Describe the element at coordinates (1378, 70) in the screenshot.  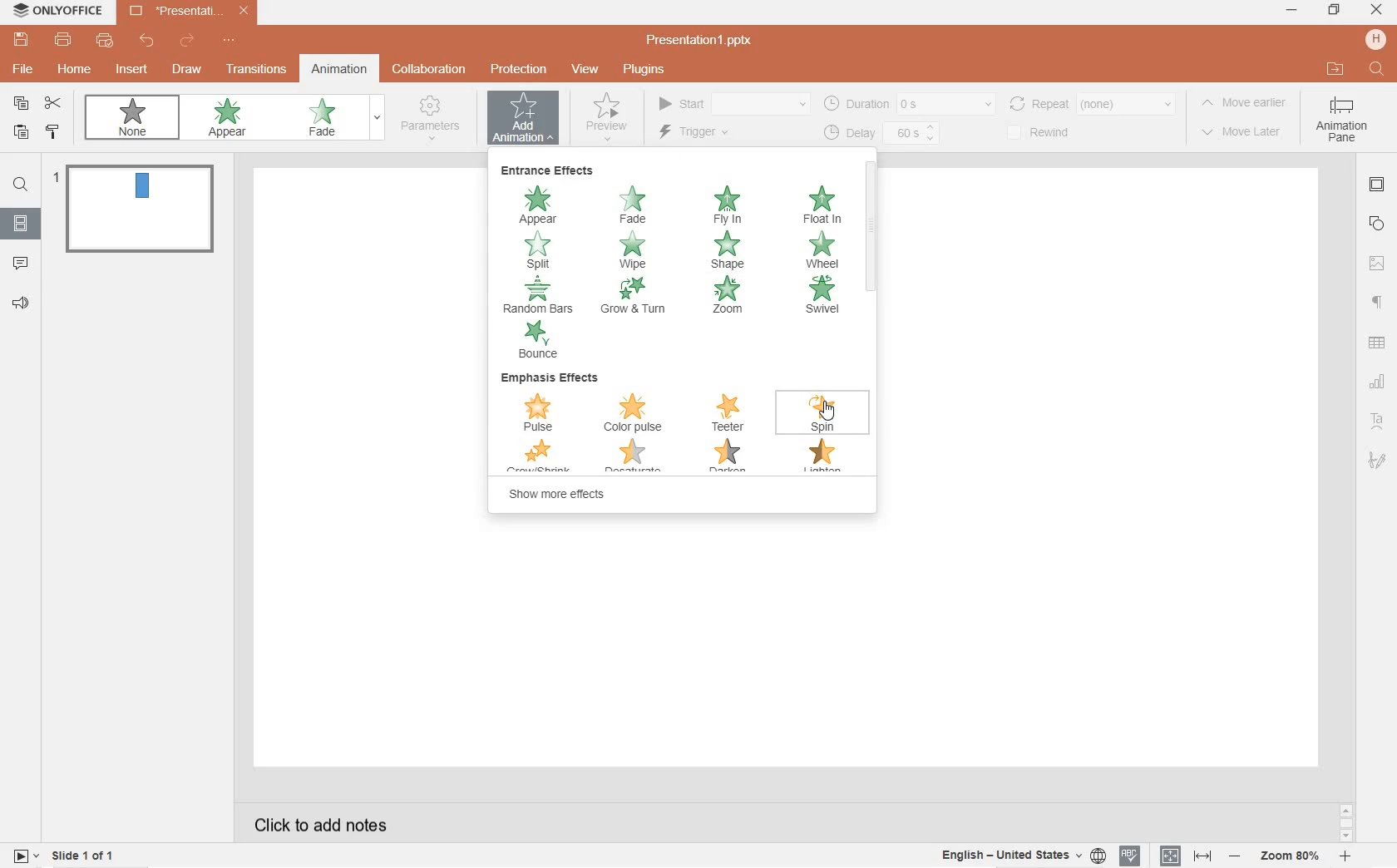
I see `FIND` at that location.